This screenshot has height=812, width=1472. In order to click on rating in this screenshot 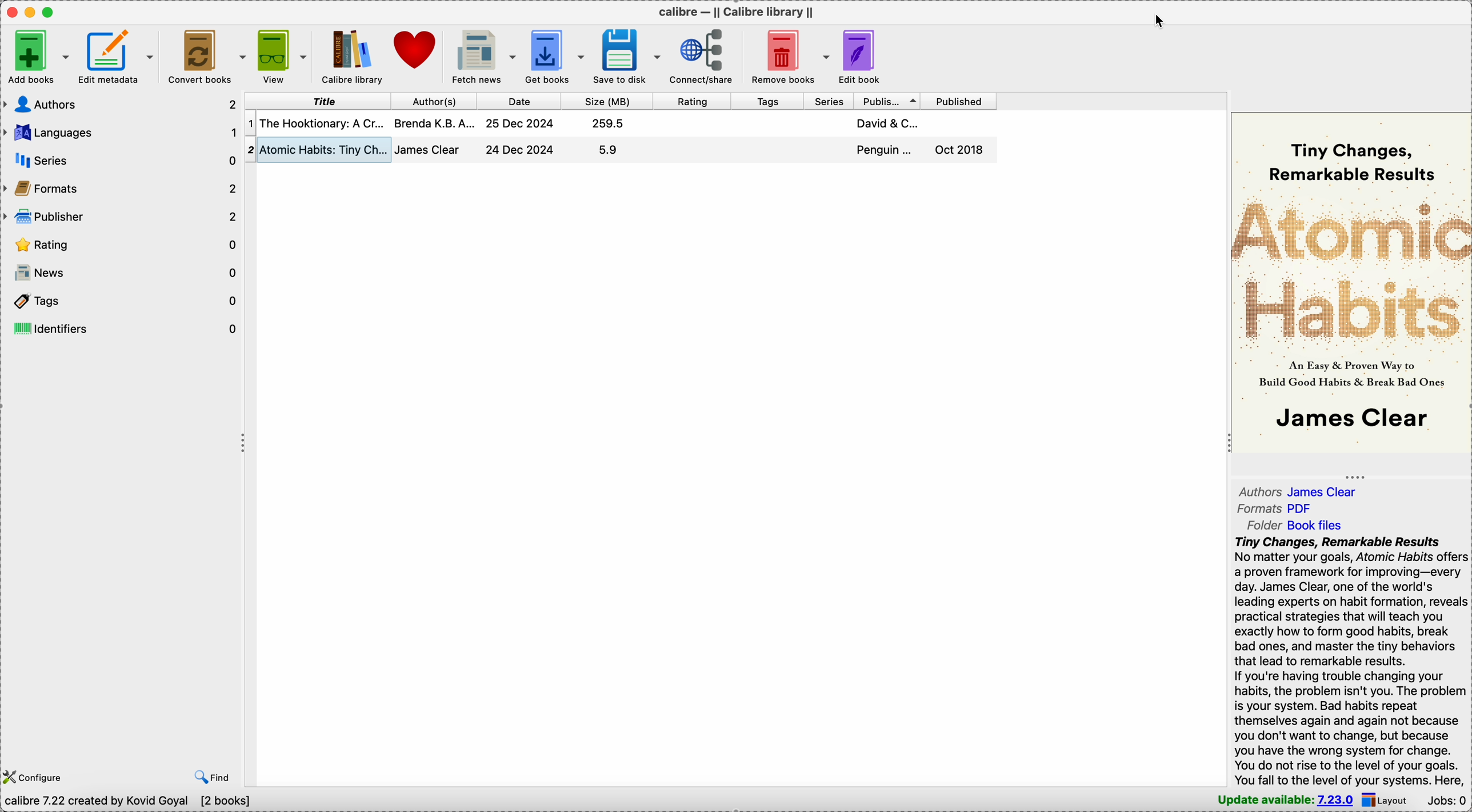, I will do `click(122, 244)`.